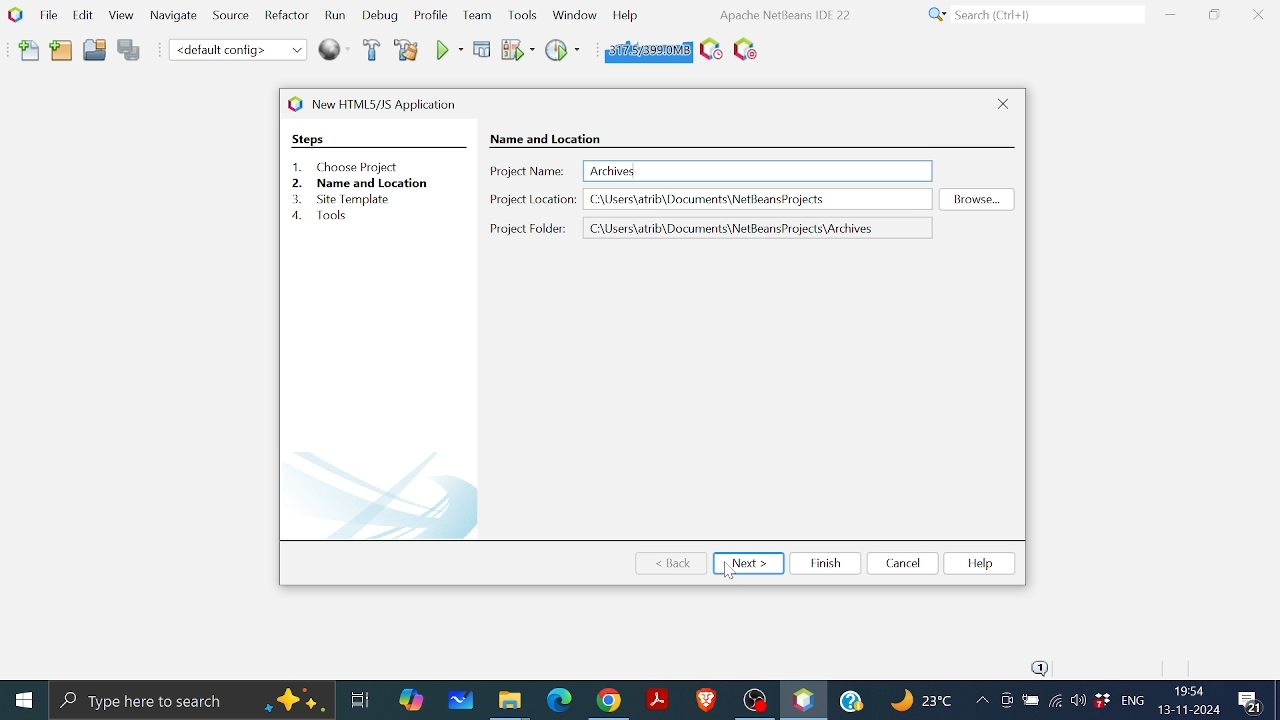  I want to click on 1. Chrome project, so click(349, 167).